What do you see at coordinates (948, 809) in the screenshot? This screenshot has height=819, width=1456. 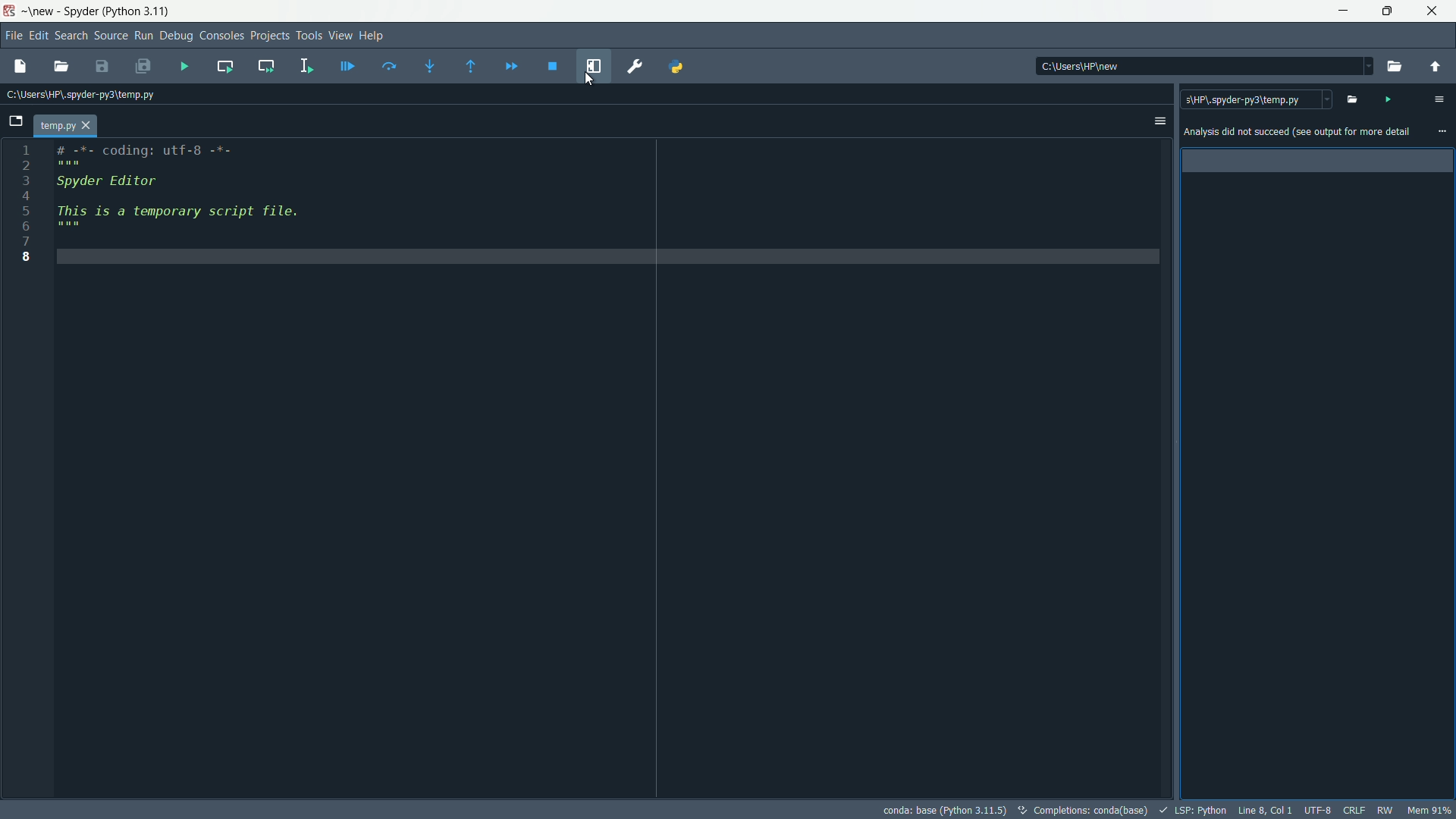 I see `conda: base (Python 3.11.5)` at bounding box center [948, 809].